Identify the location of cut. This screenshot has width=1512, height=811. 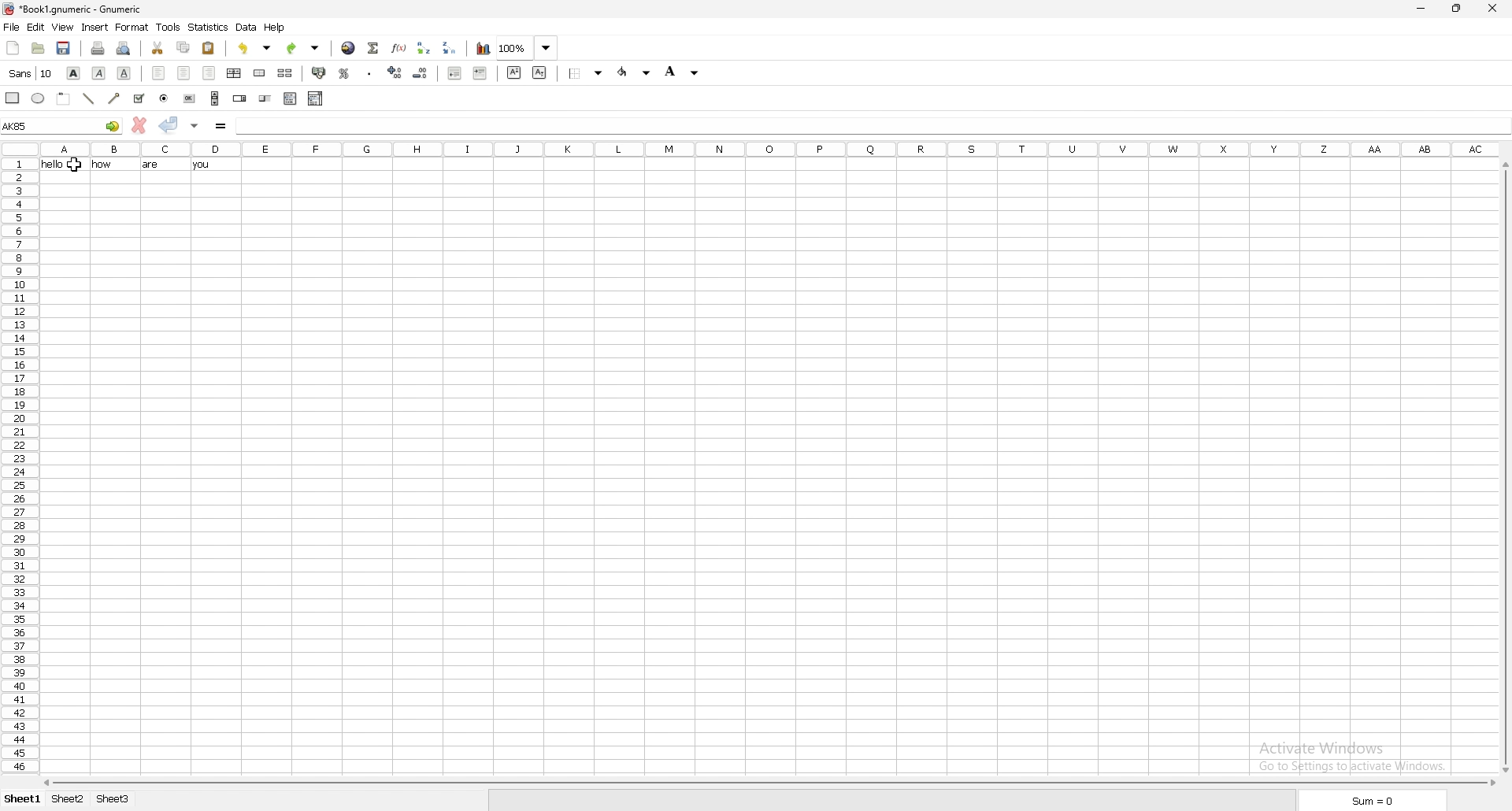
(157, 46).